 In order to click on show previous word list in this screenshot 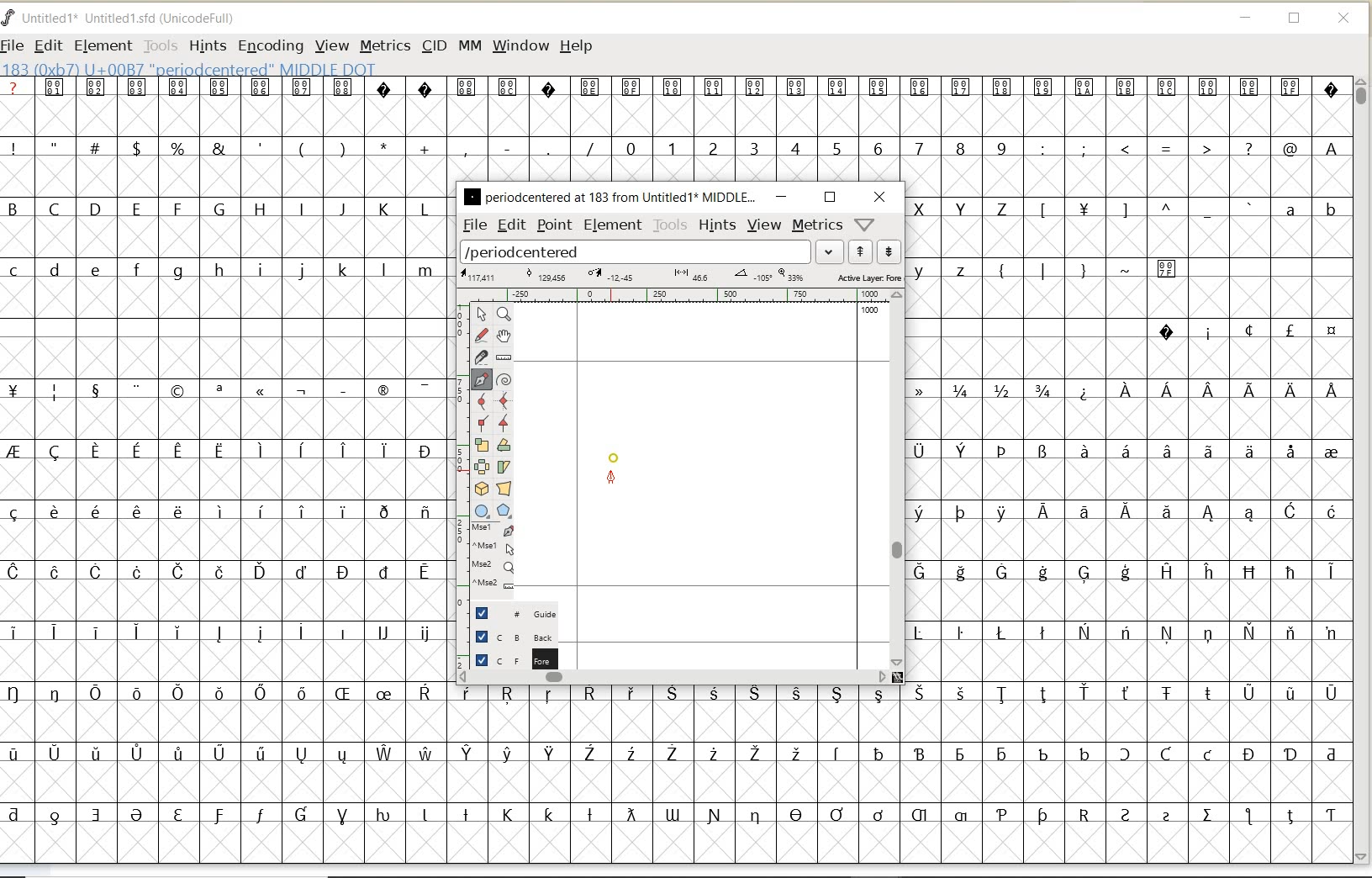, I will do `click(862, 252)`.